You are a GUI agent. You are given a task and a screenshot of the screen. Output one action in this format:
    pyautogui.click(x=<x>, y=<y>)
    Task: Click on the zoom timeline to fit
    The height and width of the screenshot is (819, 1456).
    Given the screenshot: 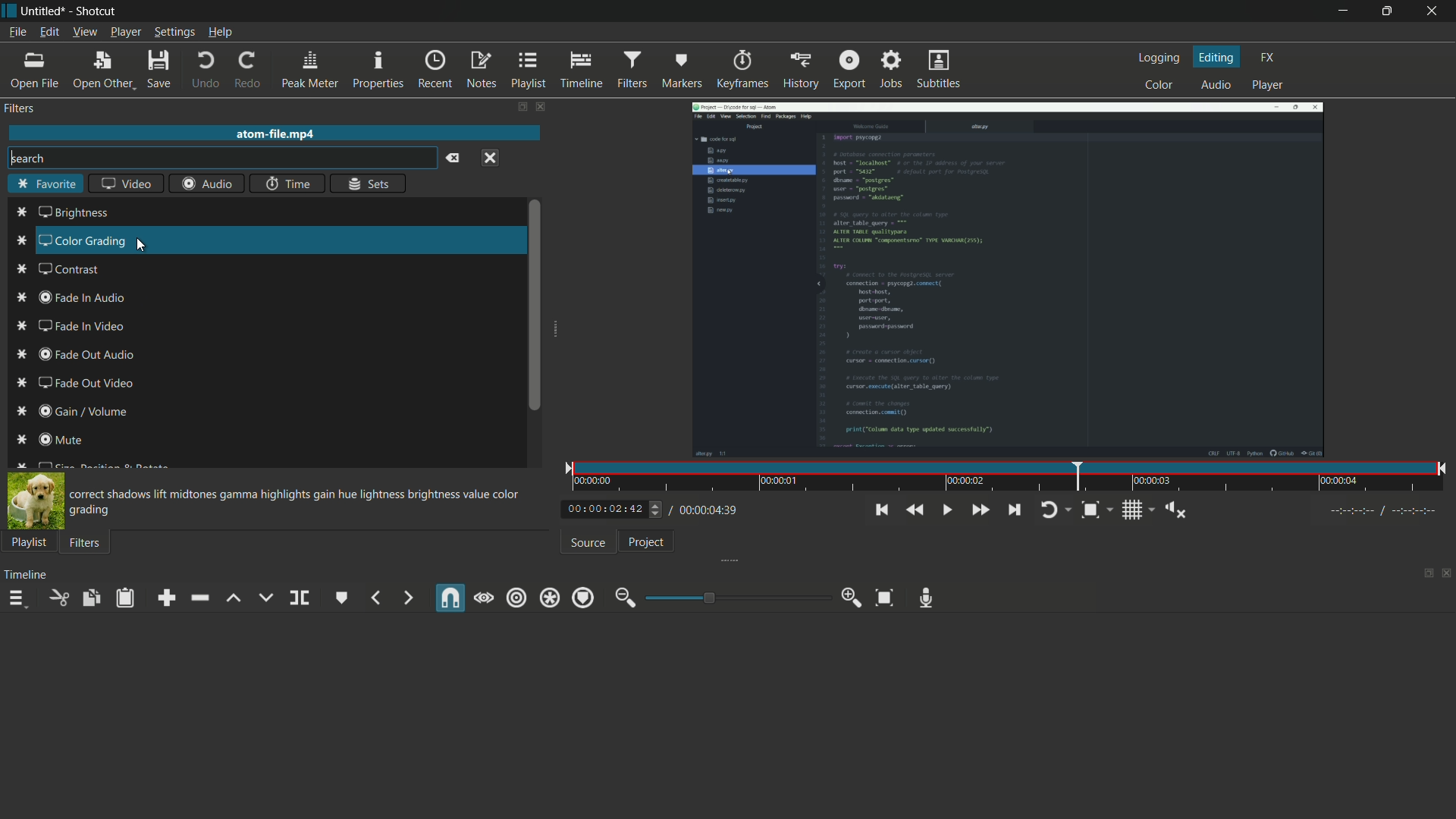 What is the action you would take?
    pyautogui.click(x=1095, y=508)
    